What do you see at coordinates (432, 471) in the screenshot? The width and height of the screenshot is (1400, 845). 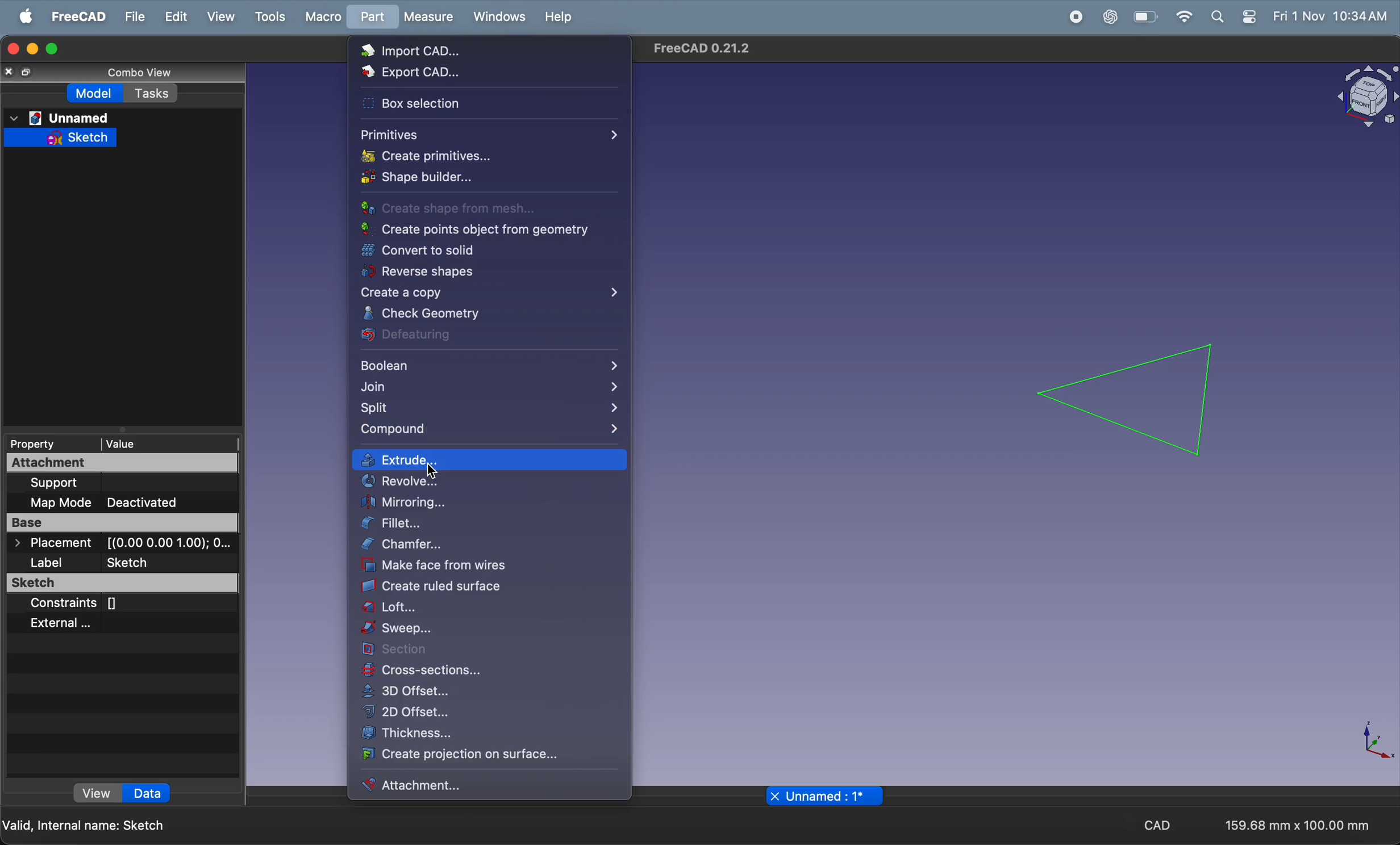 I see `cursor` at bounding box center [432, 471].